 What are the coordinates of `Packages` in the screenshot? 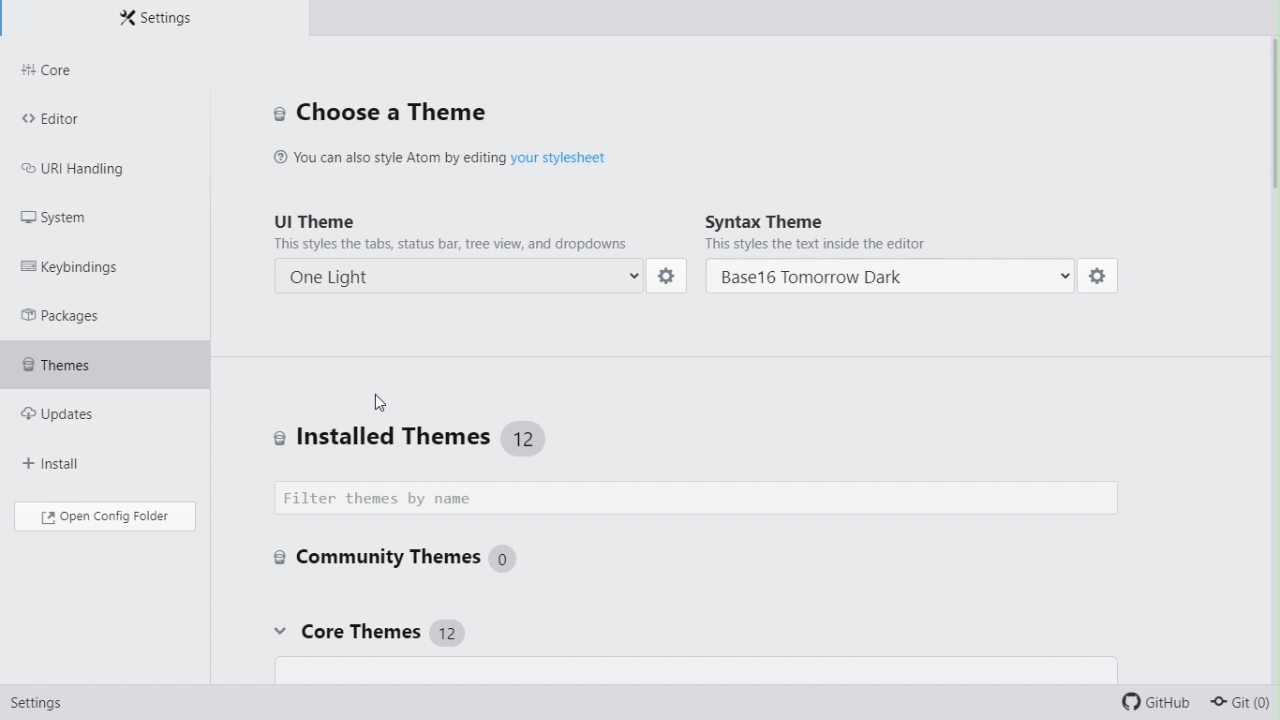 It's located at (84, 317).